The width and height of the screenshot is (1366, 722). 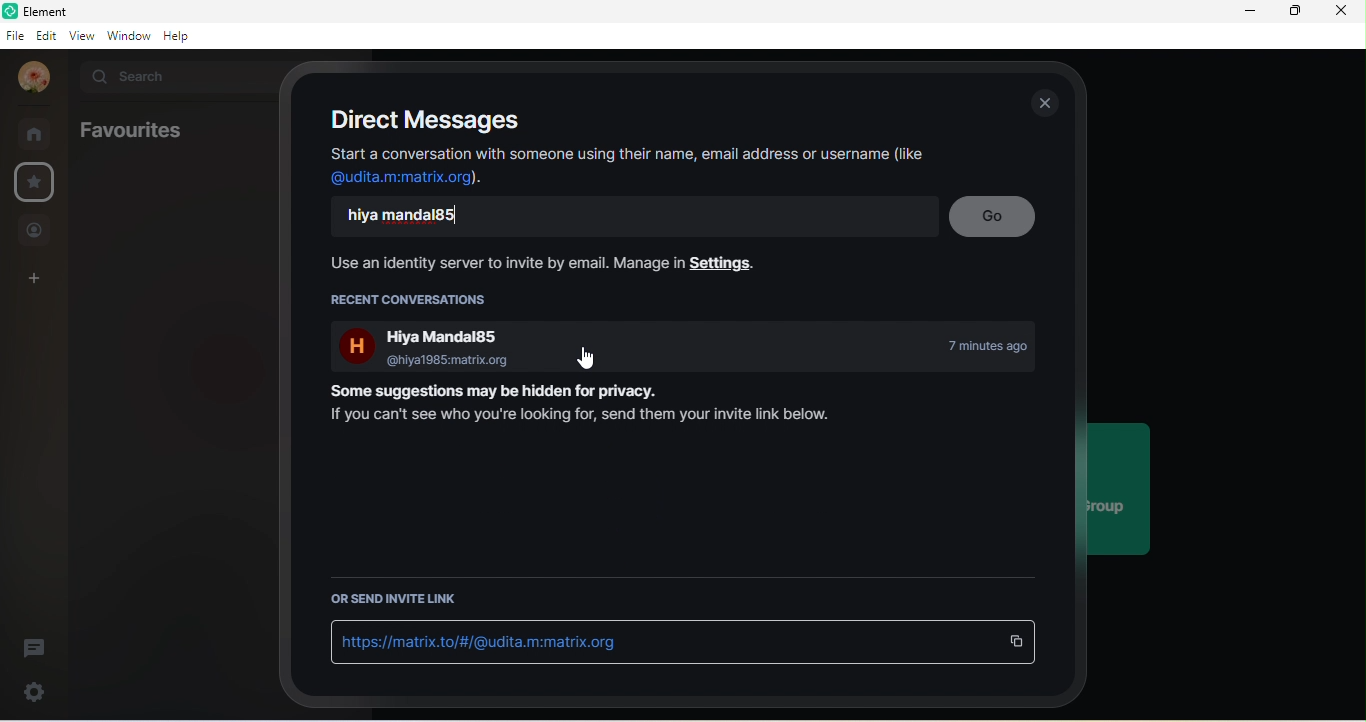 What do you see at coordinates (579, 361) in the screenshot?
I see `cursor movement` at bounding box center [579, 361].